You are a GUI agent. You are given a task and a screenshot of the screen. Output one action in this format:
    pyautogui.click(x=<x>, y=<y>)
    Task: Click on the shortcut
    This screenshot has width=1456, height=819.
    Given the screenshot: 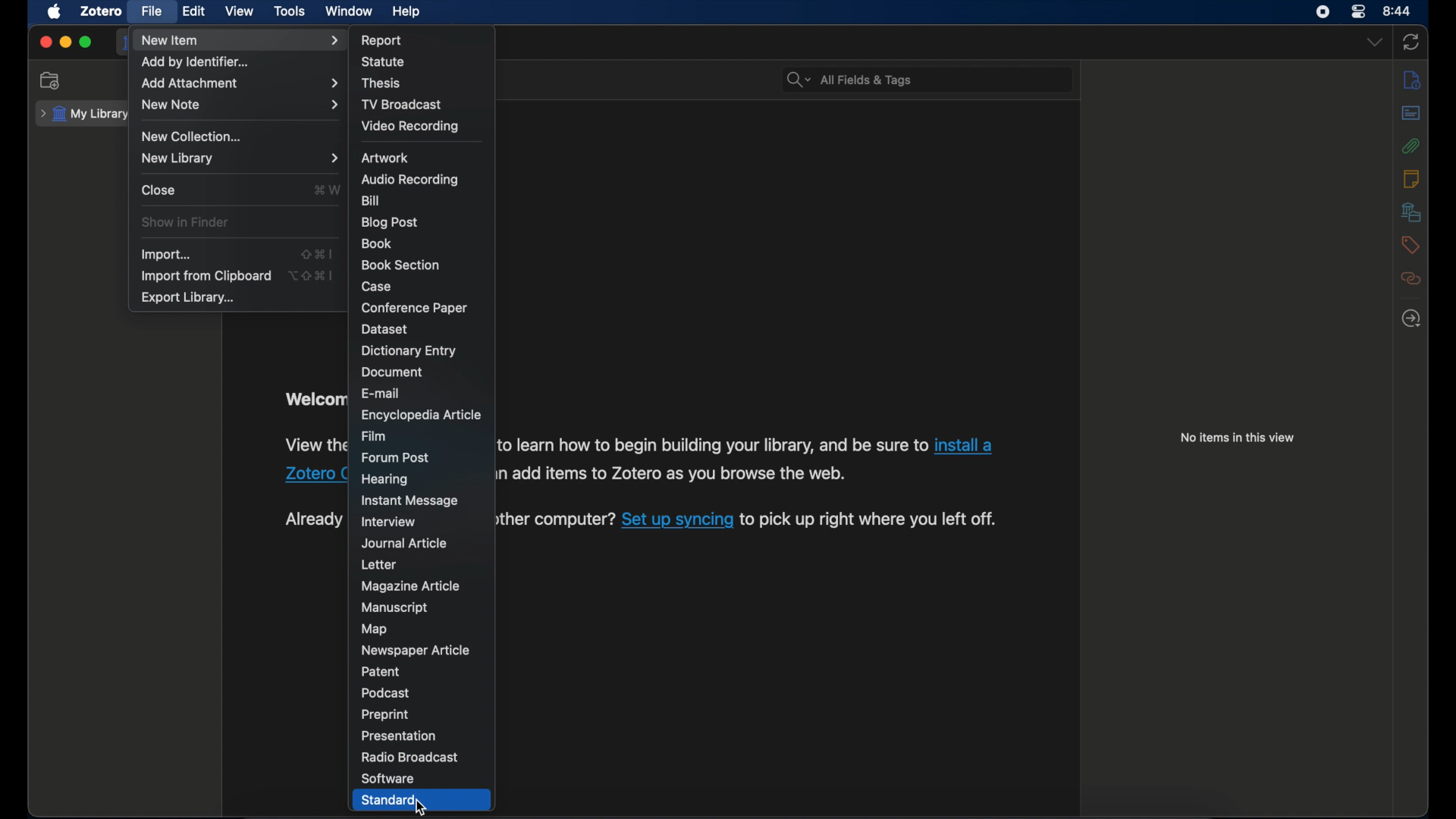 What is the action you would take?
    pyautogui.click(x=326, y=191)
    